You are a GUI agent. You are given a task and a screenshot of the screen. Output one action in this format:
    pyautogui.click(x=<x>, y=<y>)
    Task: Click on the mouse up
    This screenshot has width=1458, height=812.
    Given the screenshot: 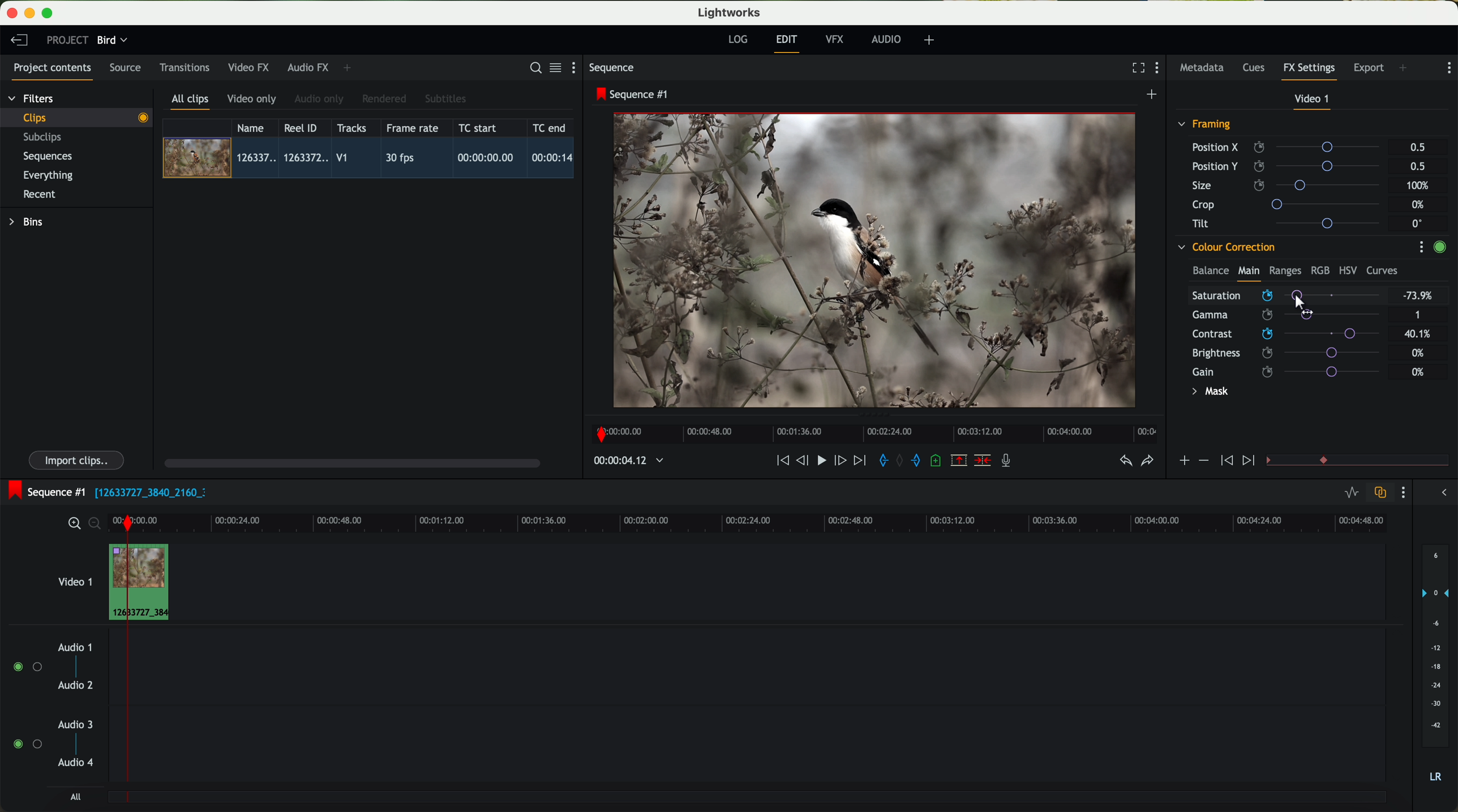 What is the action you would take?
    pyautogui.click(x=1301, y=300)
    